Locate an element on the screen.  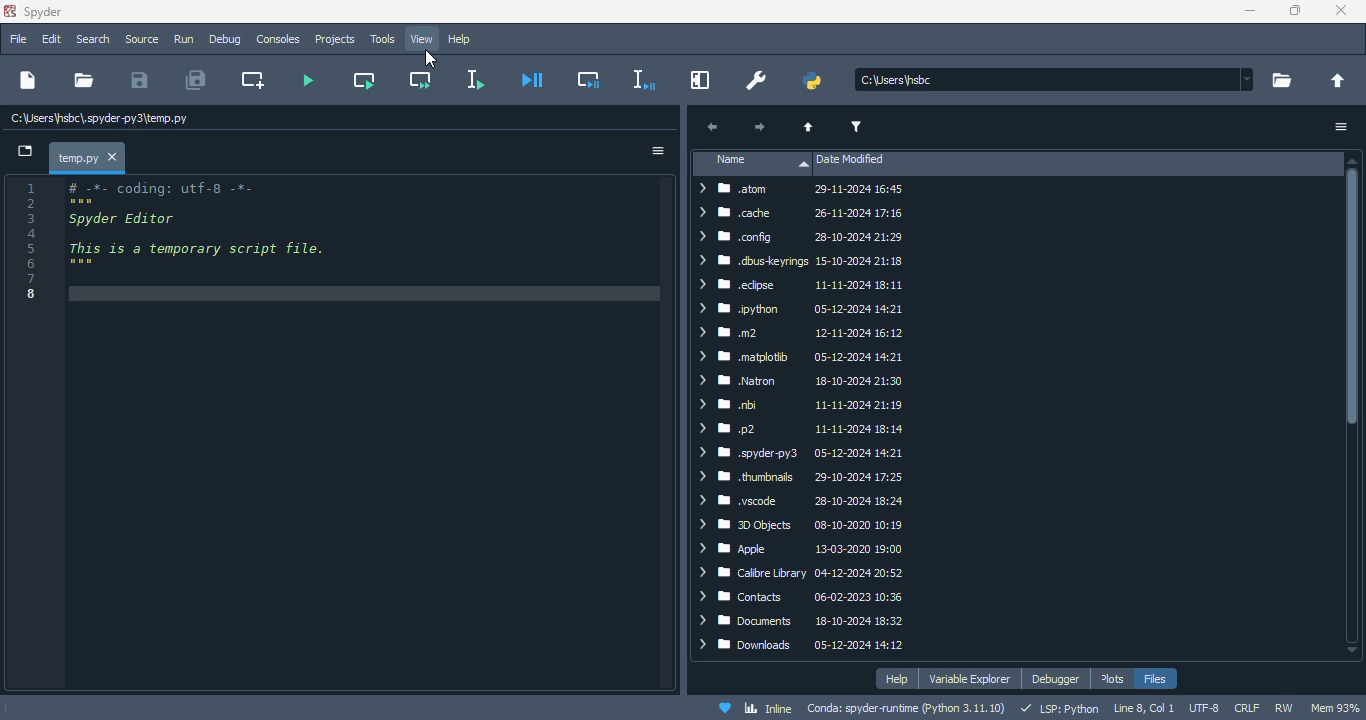
plots is located at coordinates (1113, 679).